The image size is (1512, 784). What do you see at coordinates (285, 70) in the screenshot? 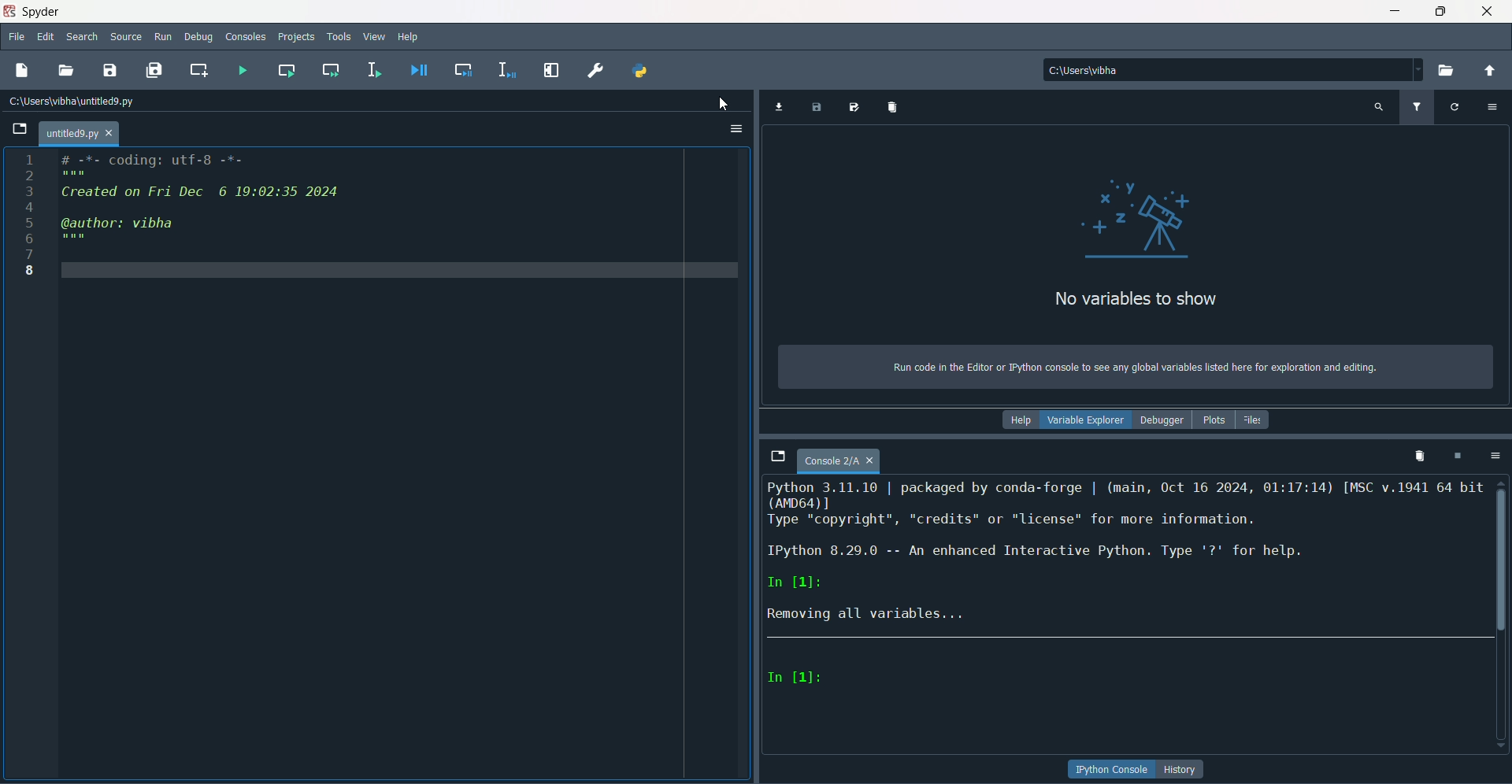
I see `run current cell` at bounding box center [285, 70].